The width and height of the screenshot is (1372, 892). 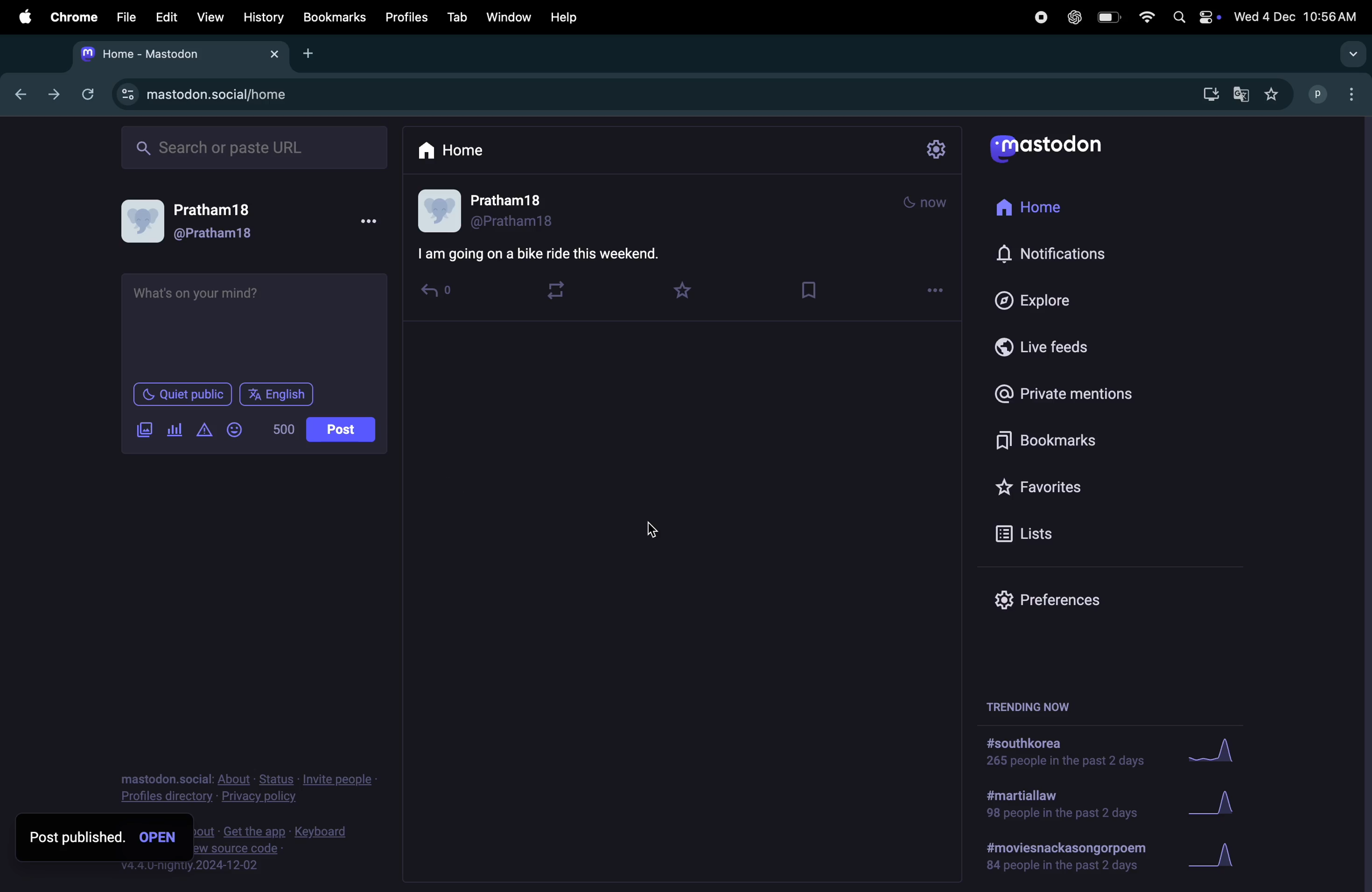 I want to click on post published, so click(x=105, y=837).